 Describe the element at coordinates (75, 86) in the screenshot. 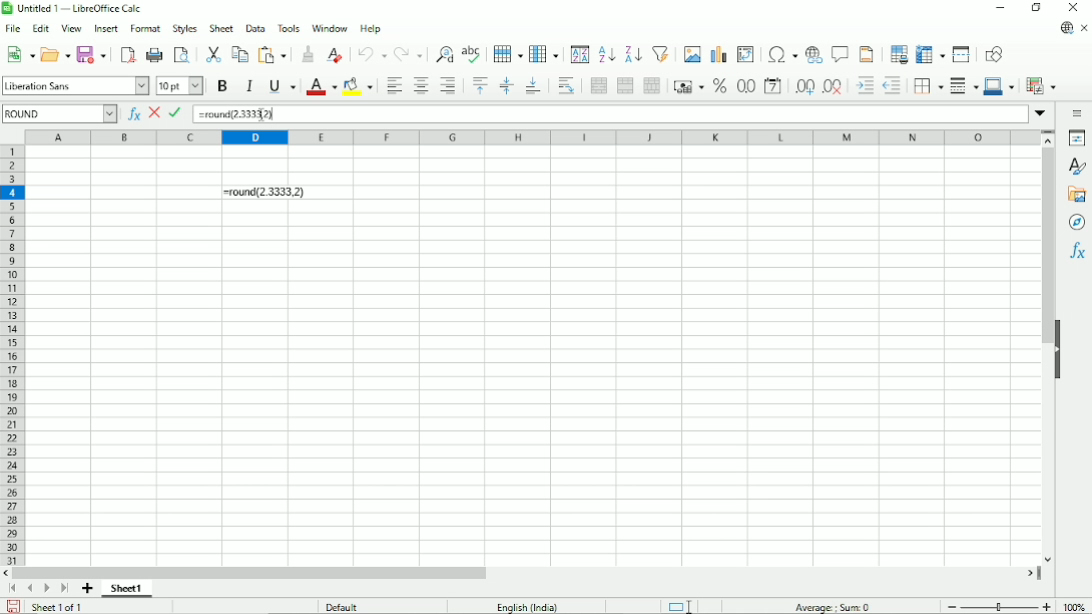

I see `Font style` at that location.